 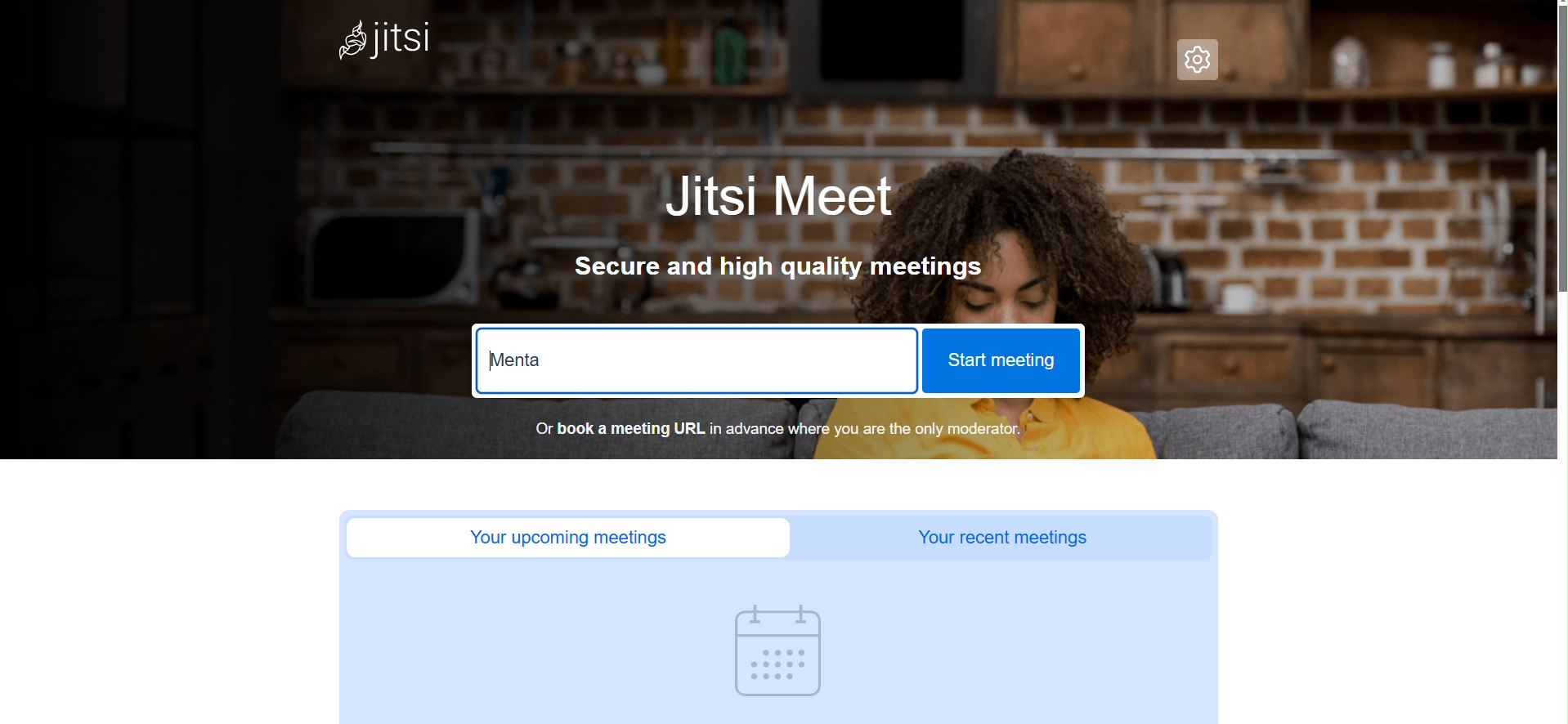 I want to click on Start meeting, so click(x=1002, y=361).